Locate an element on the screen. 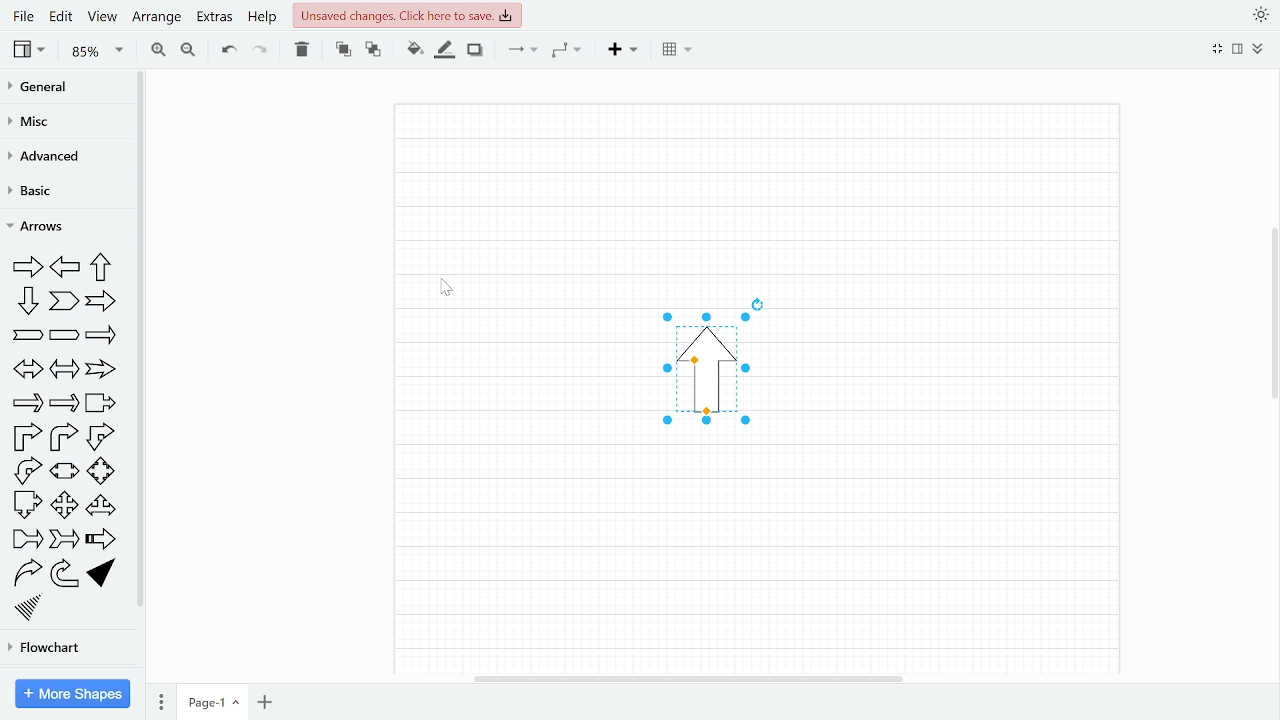 The image size is (1280, 720). Waypoints is located at coordinates (569, 50).